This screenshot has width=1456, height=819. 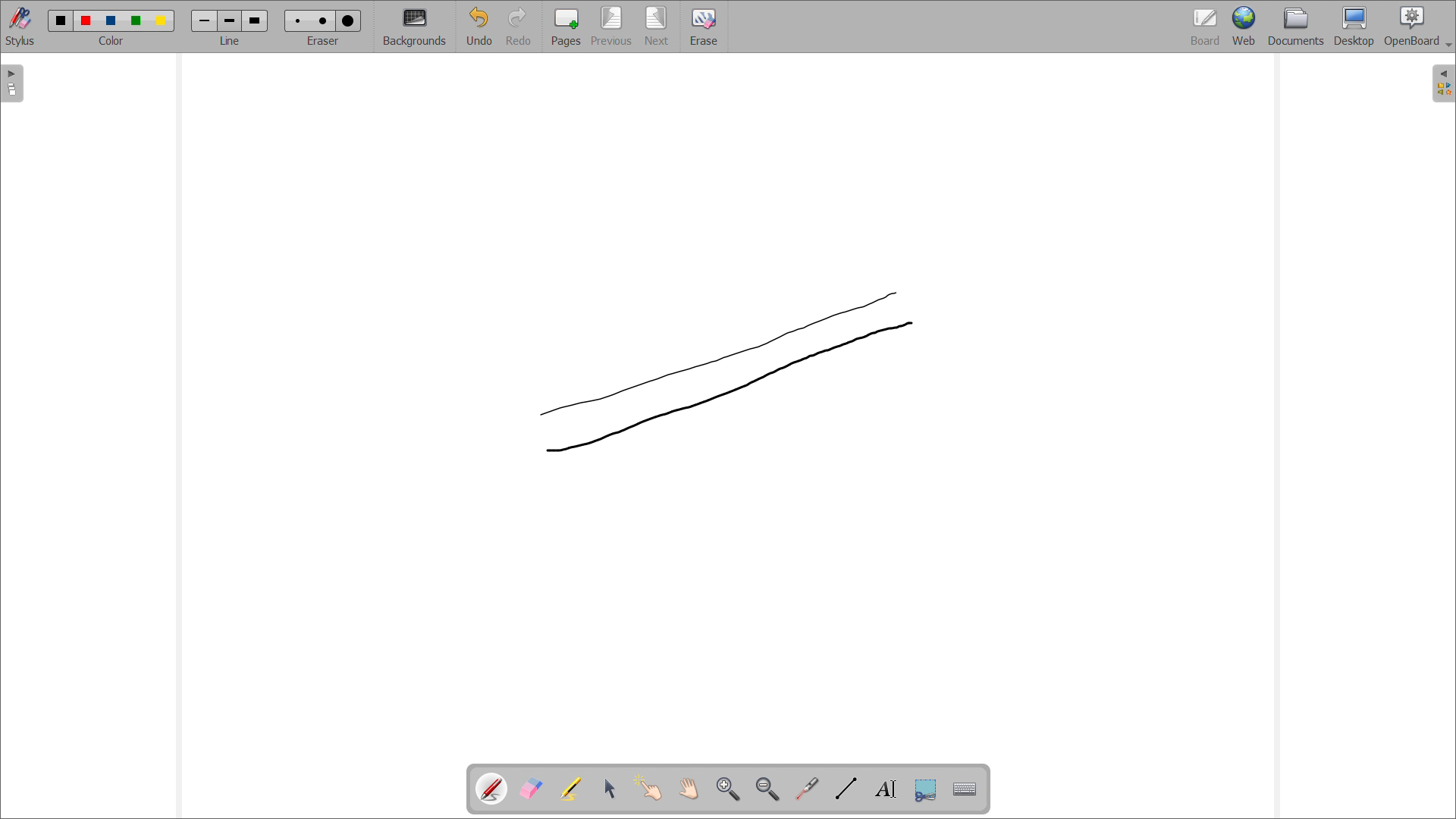 I want to click on zoom out, so click(x=768, y=789).